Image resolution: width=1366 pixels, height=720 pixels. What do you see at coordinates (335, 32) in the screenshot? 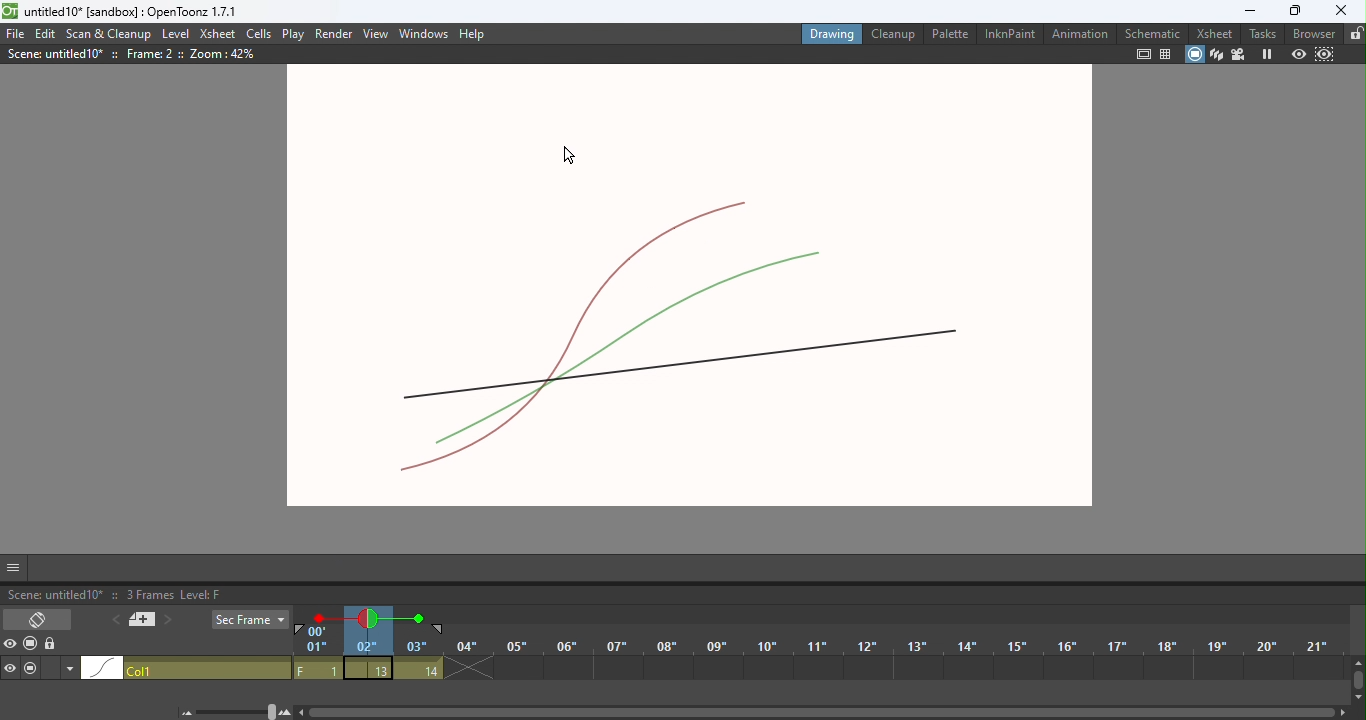
I see `Render` at bounding box center [335, 32].